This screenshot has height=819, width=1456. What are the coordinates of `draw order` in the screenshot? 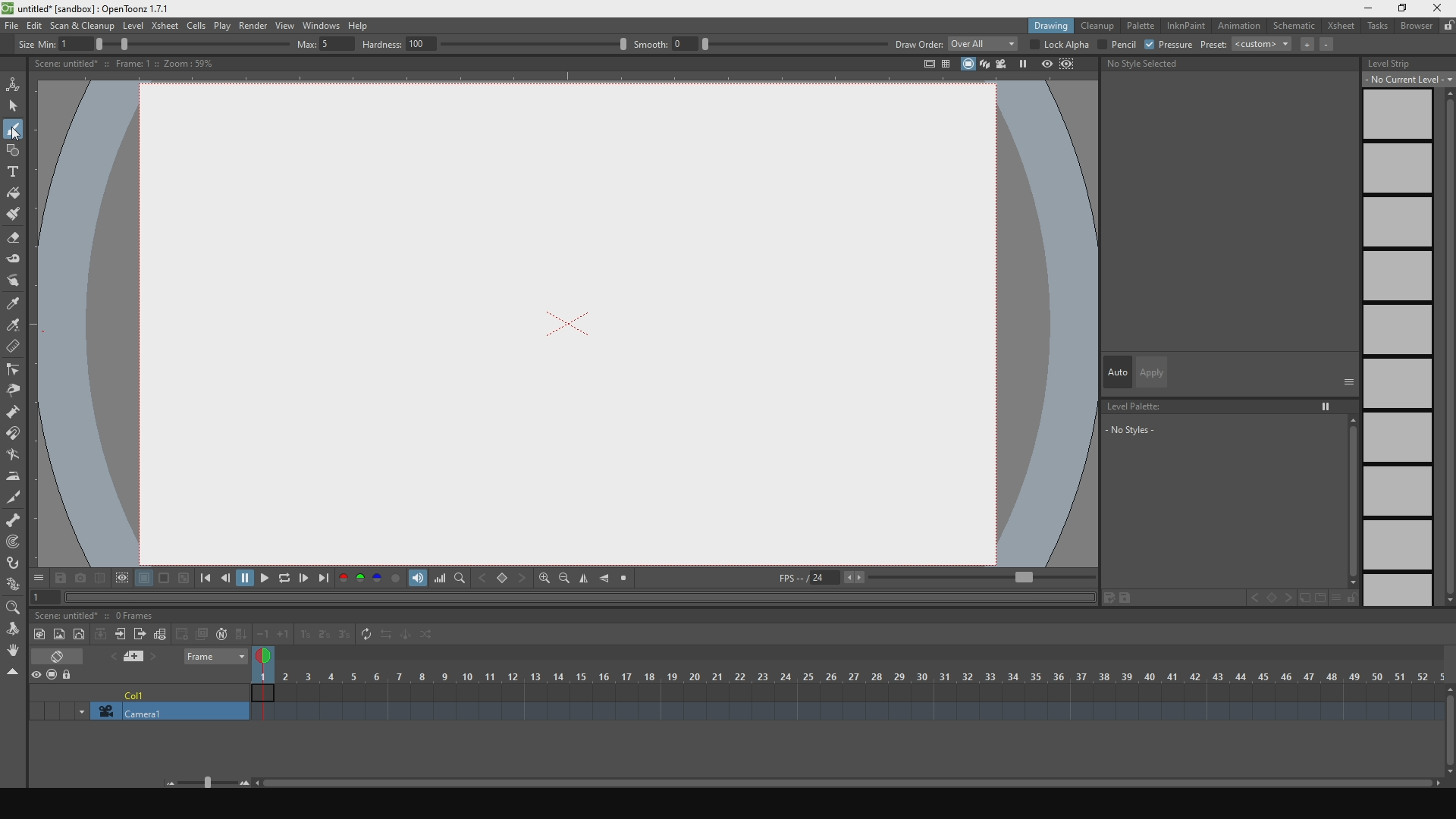 It's located at (916, 44).